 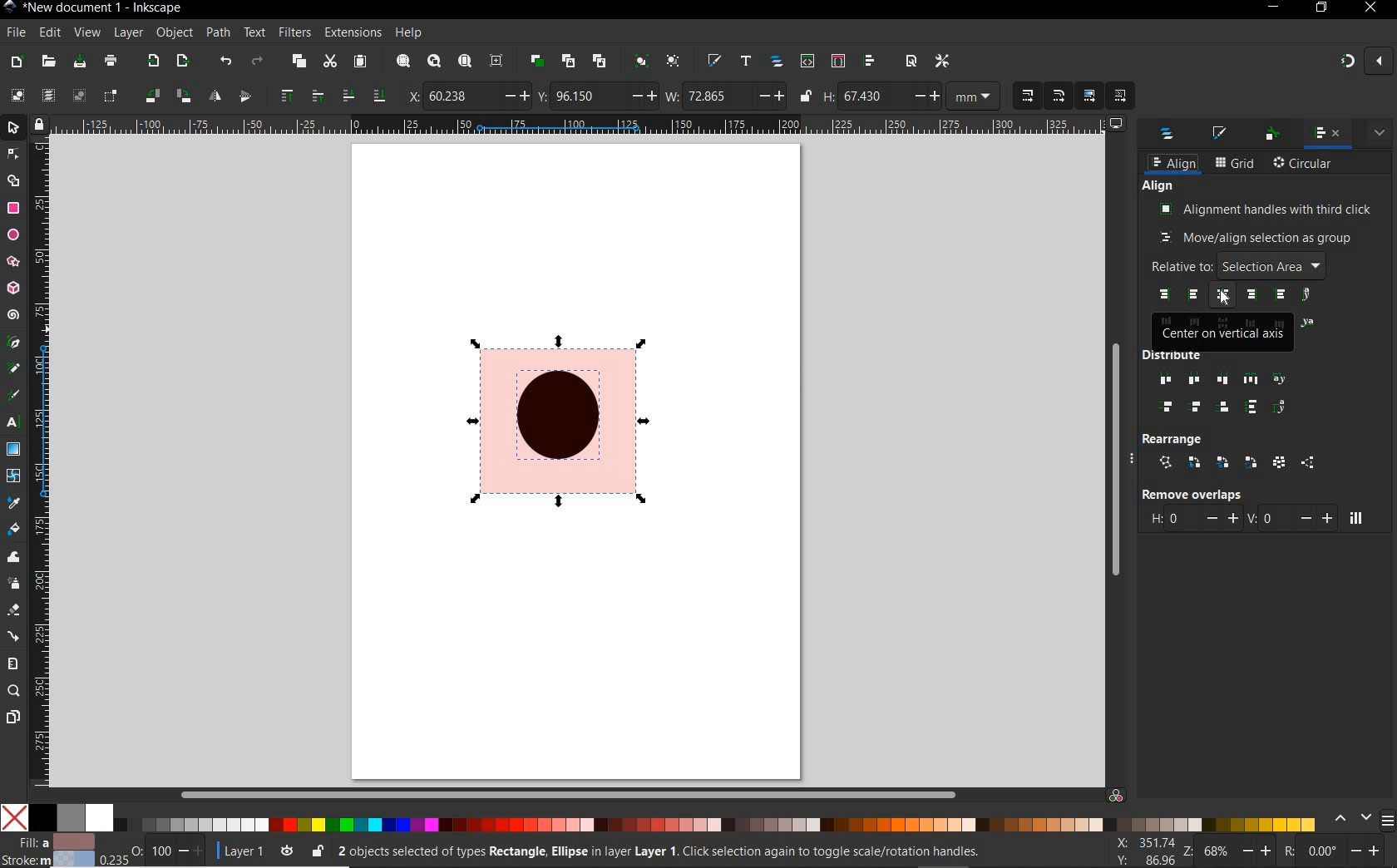 What do you see at coordinates (869, 62) in the screenshot?
I see `open align and distribu` at bounding box center [869, 62].